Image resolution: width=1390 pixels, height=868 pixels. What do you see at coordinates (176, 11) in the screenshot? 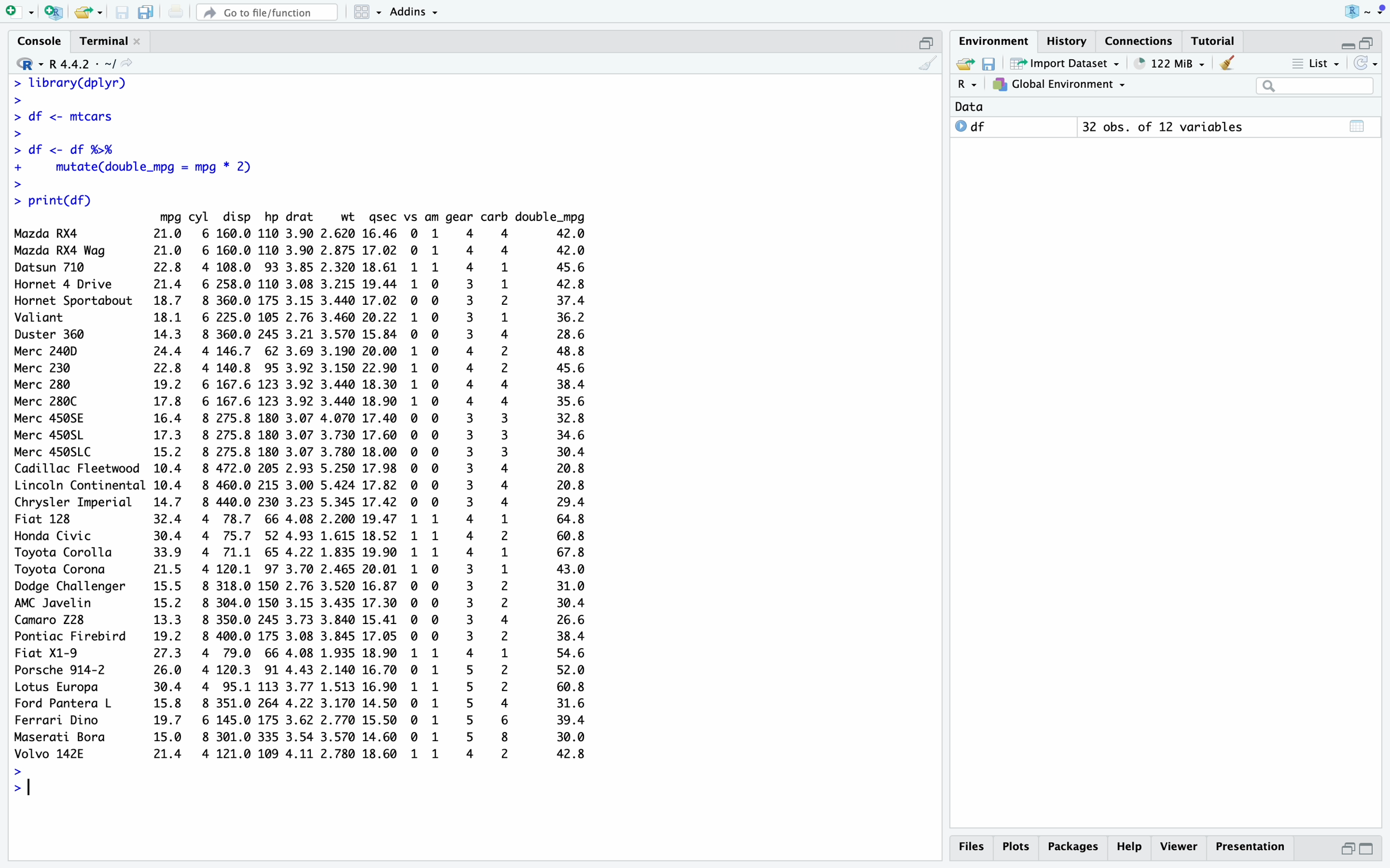
I see `print` at bounding box center [176, 11].